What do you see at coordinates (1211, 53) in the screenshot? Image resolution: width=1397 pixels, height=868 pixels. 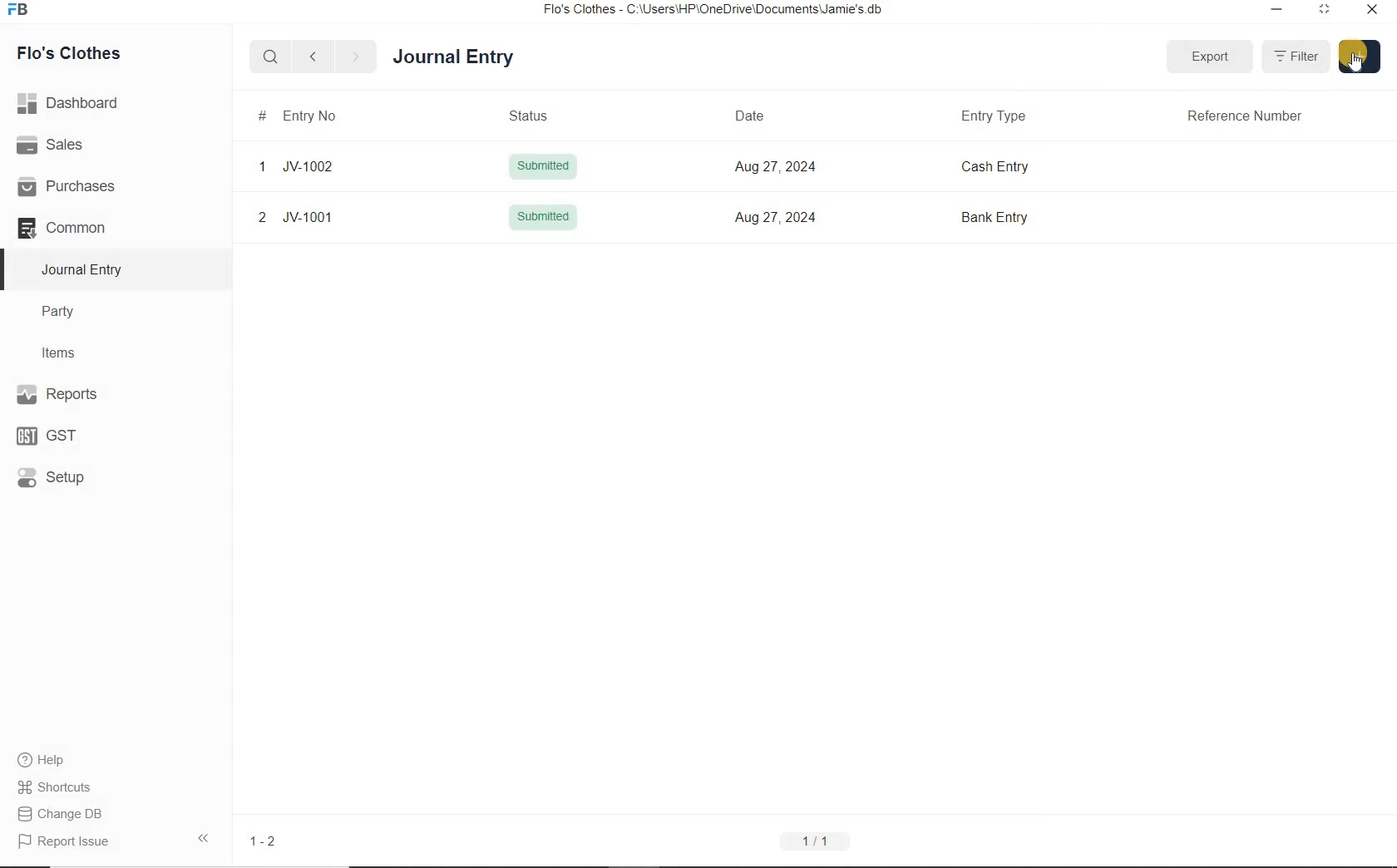 I see `Export` at bounding box center [1211, 53].